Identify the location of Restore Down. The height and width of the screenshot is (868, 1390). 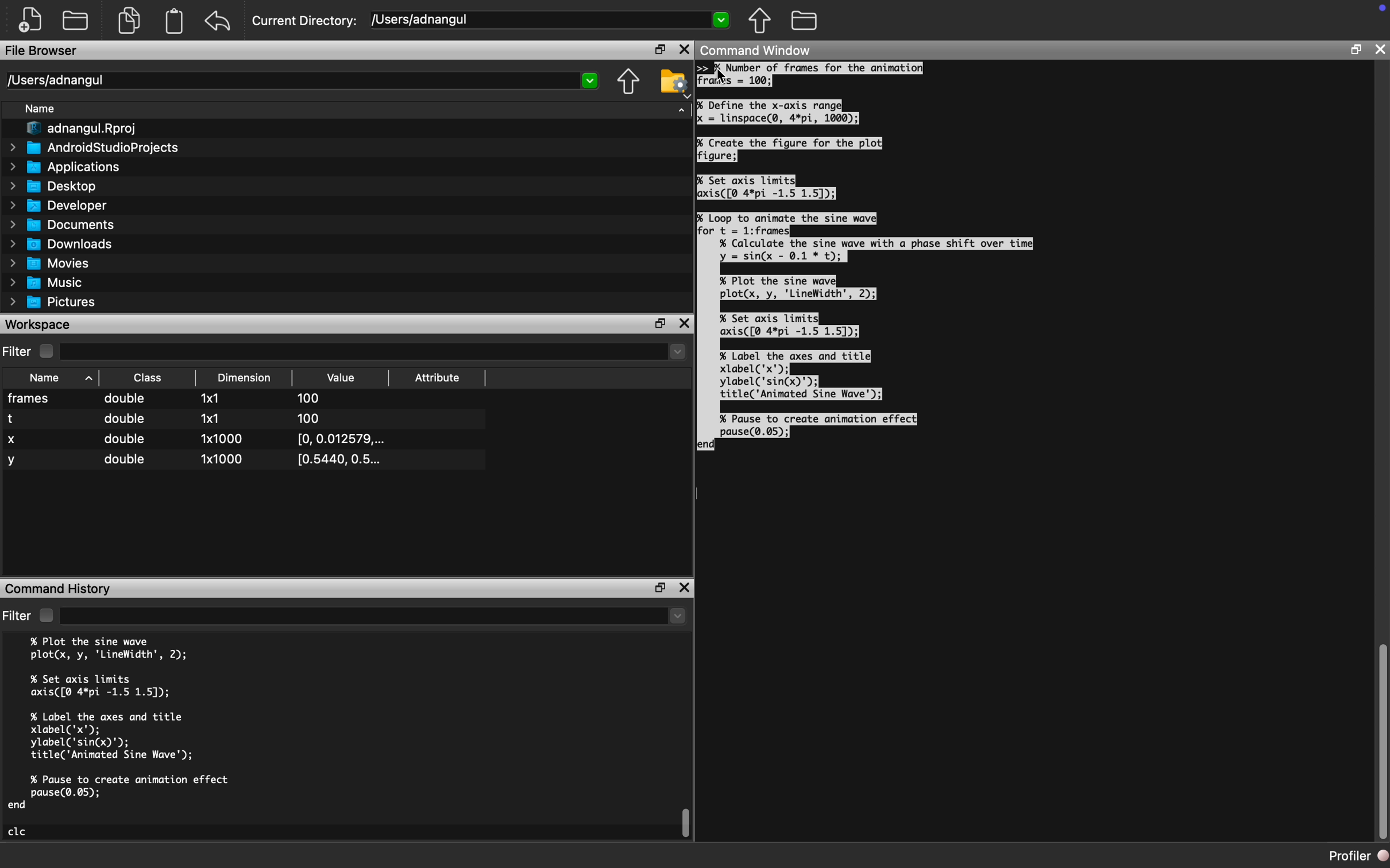
(662, 49).